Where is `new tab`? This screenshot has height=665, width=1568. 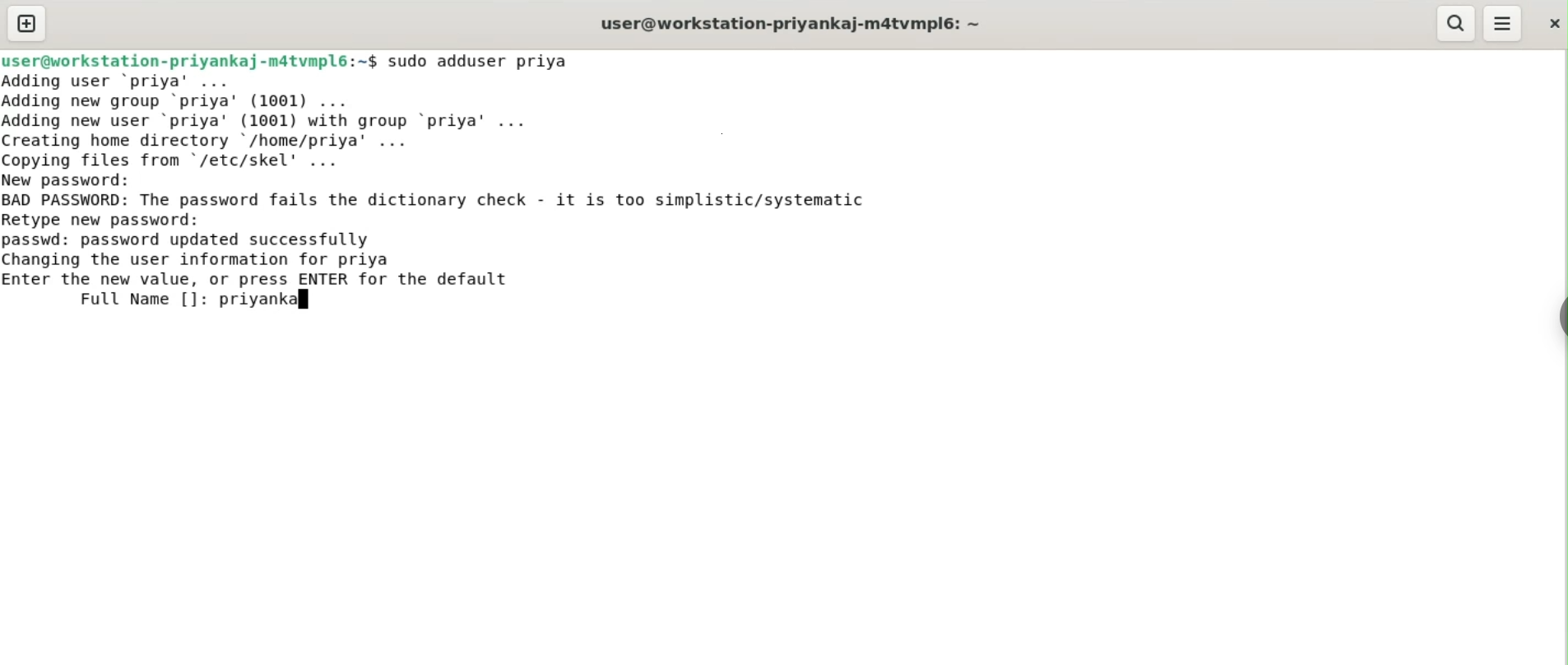 new tab is located at coordinates (27, 23).